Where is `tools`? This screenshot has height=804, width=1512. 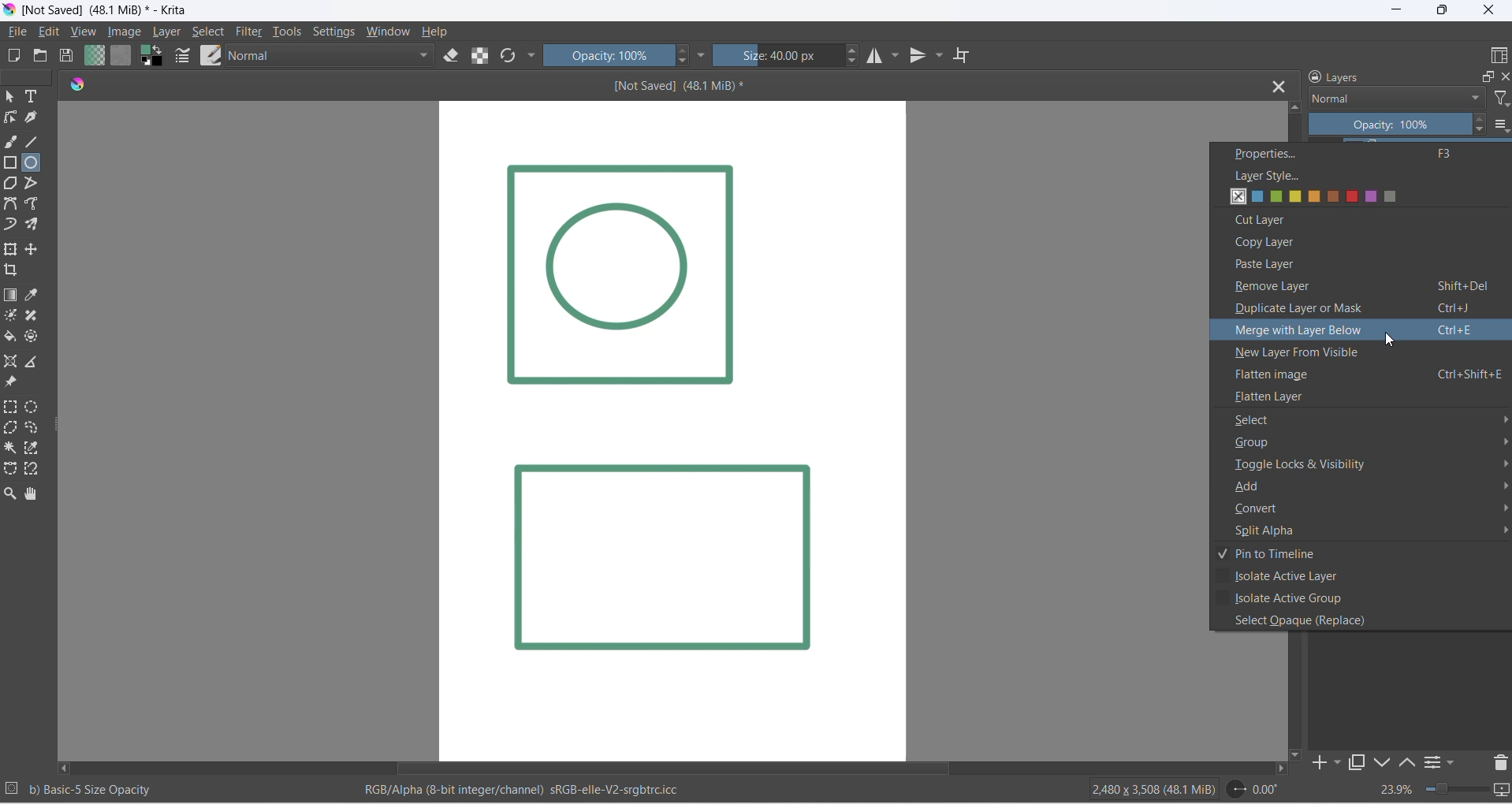
tools is located at coordinates (288, 32).